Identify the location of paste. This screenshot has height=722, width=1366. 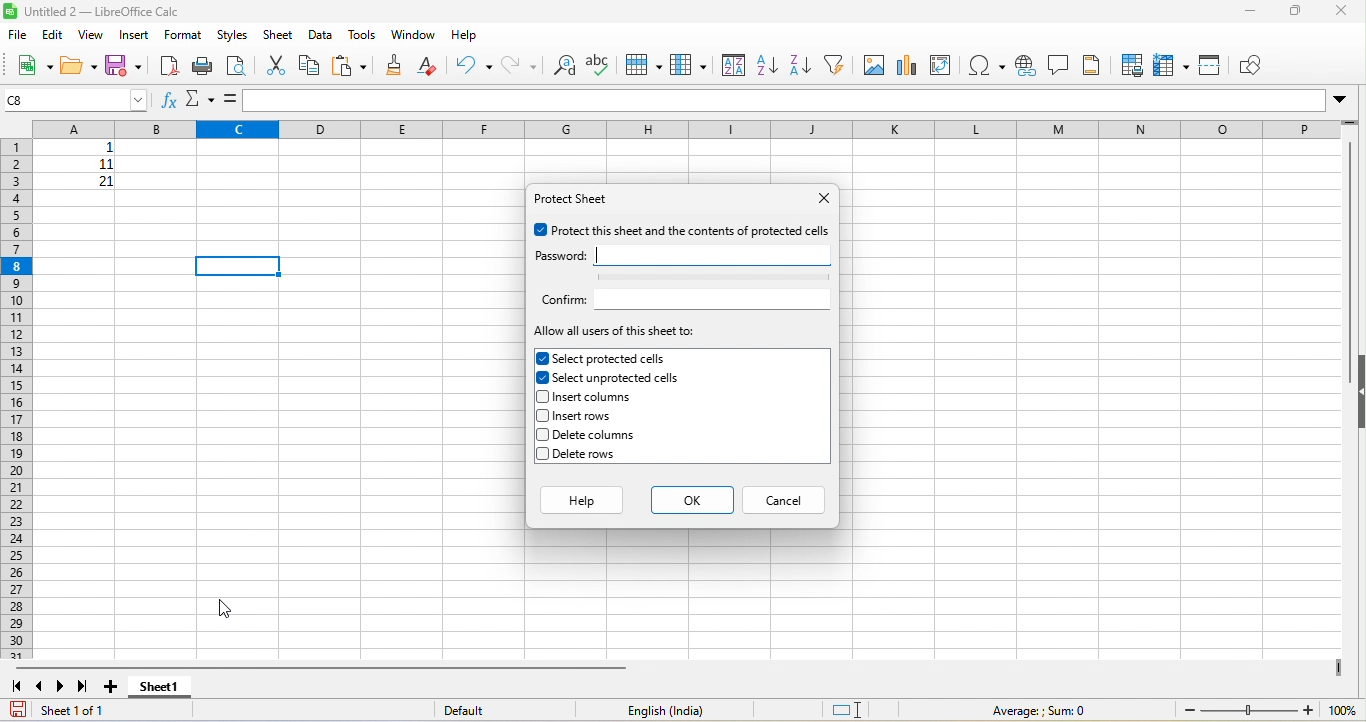
(349, 66).